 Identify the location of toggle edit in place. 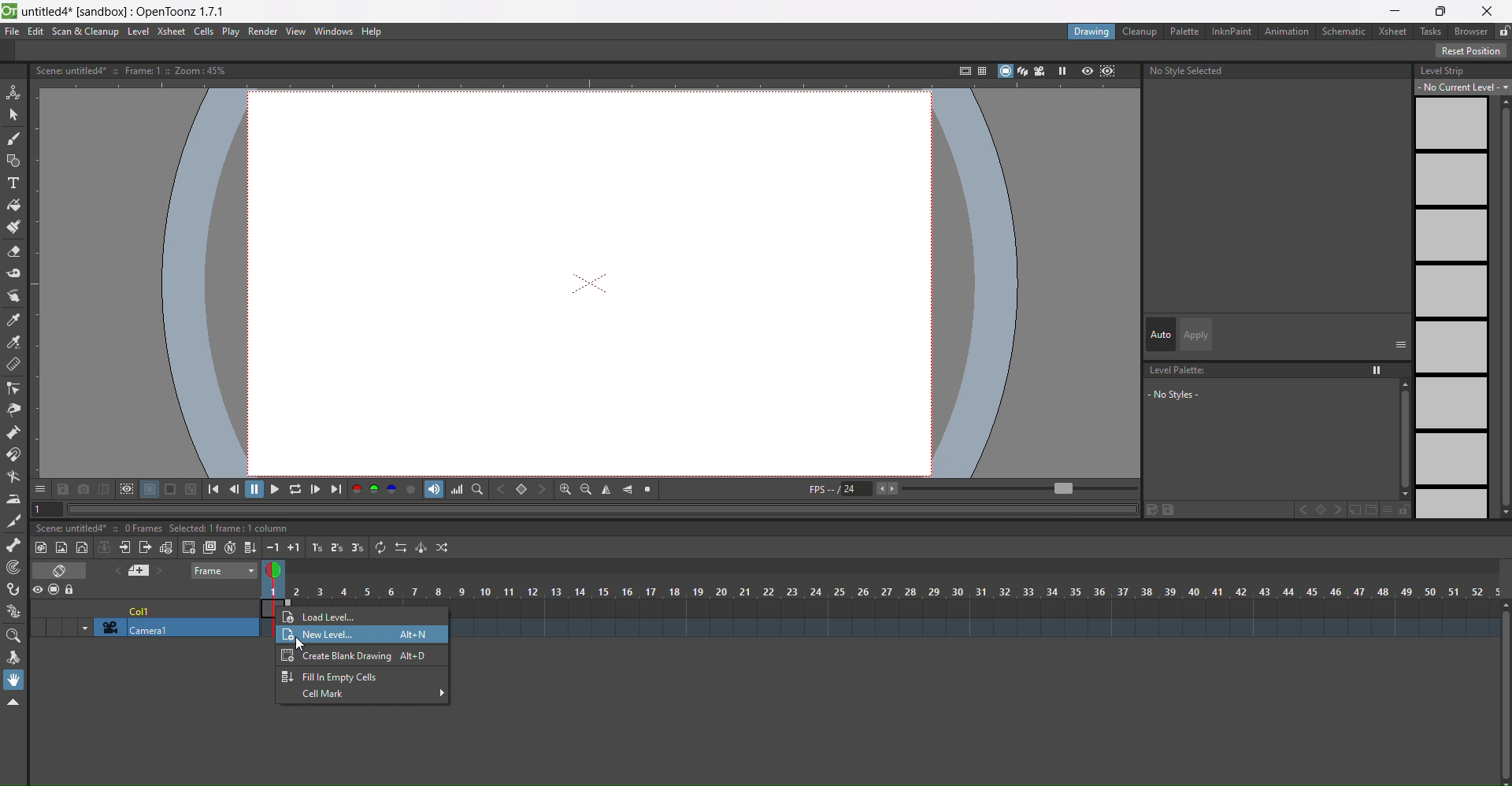
(165, 547).